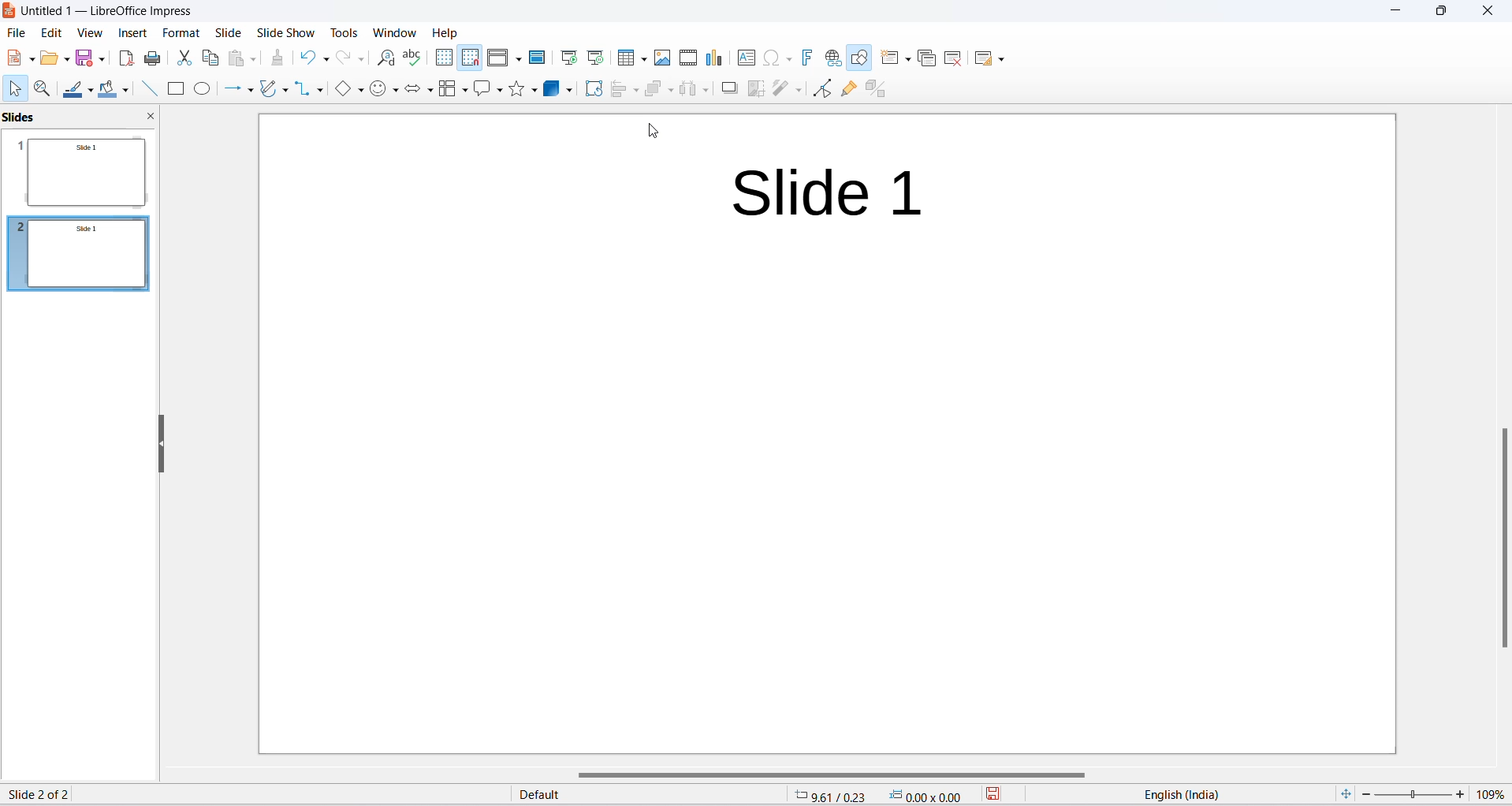 The width and height of the screenshot is (1512, 806). What do you see at coordinates (1413, 795) in the screenshot?
I see `zoom slider` at bounding box center [1413, 795].